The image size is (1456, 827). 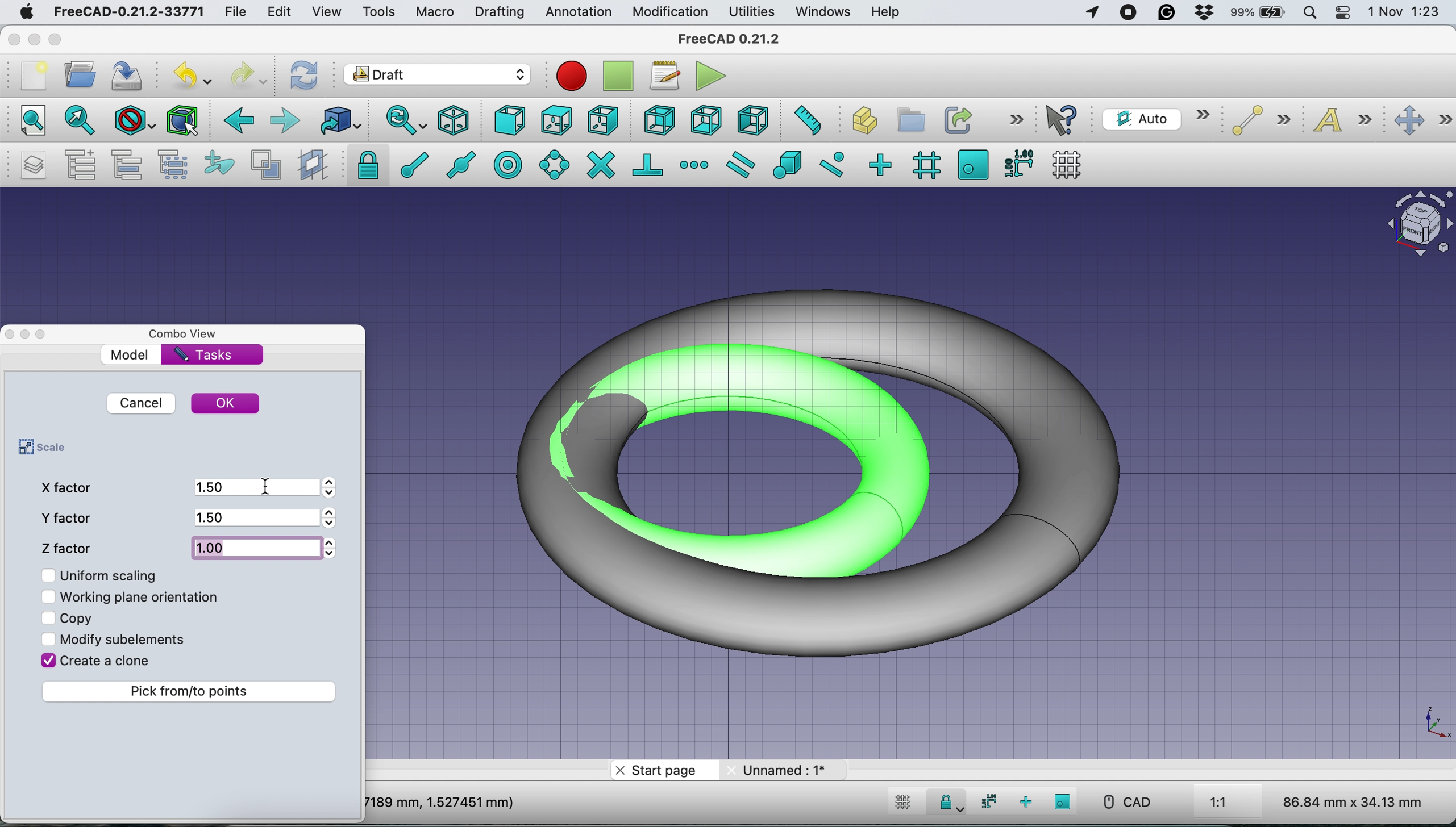 What do you see at coordinates (1232, 803) in the screenshot?
I see `1:1` at bounding box center [1232, 803].